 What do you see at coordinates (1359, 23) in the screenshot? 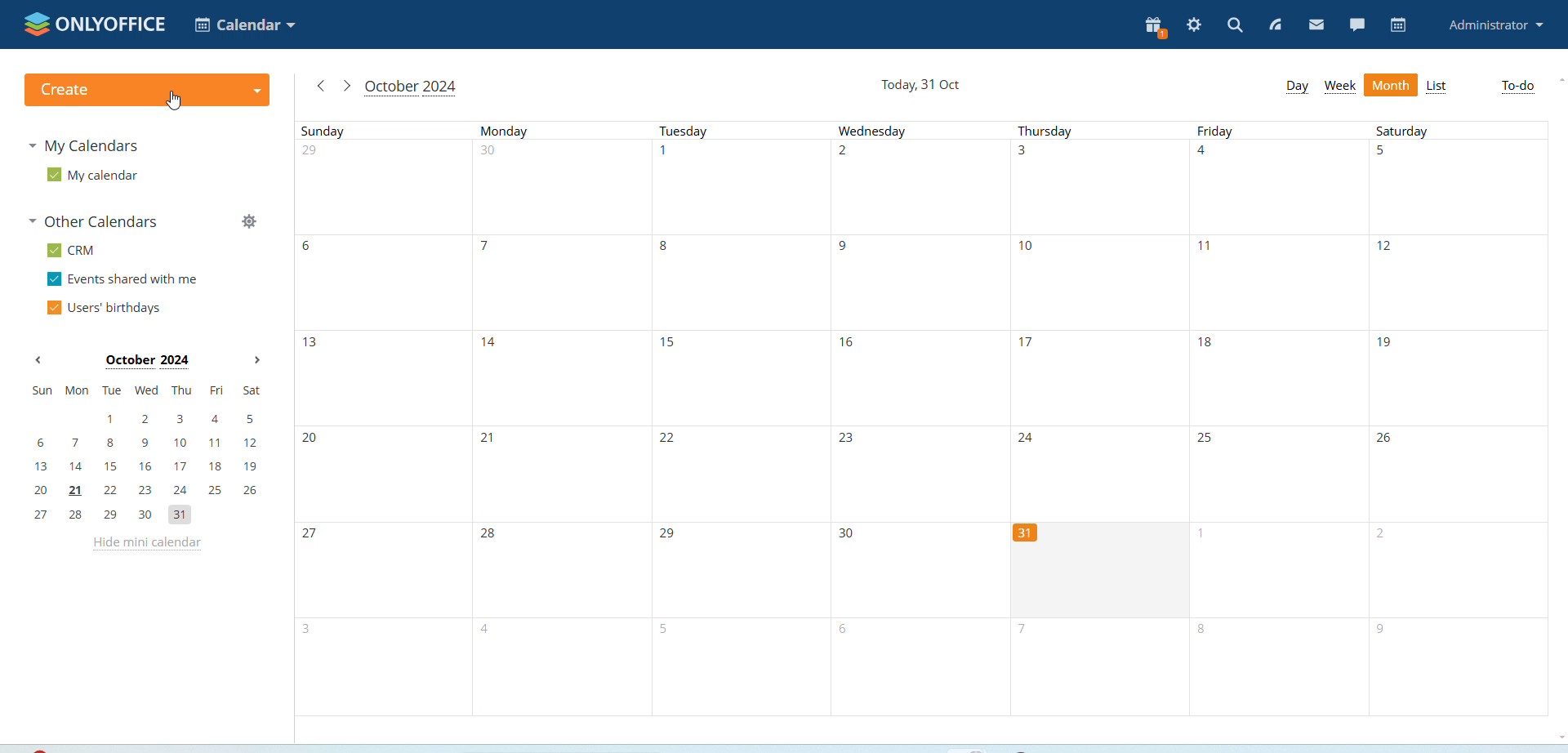
I see `chat` at bounding box center [1359, 23].